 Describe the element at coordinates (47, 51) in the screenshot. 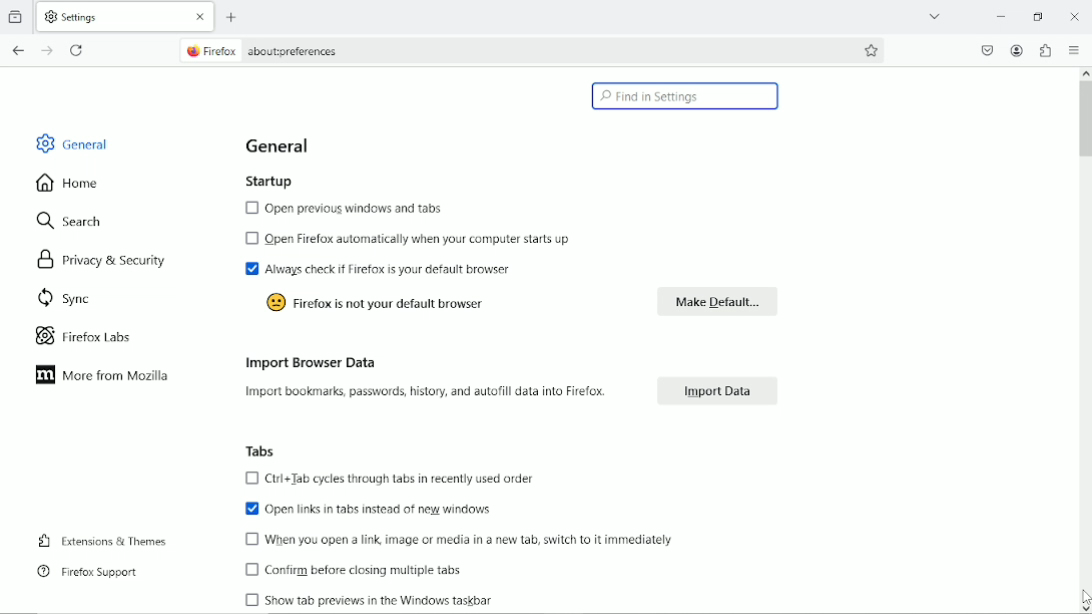

I see `go forward` at that location.